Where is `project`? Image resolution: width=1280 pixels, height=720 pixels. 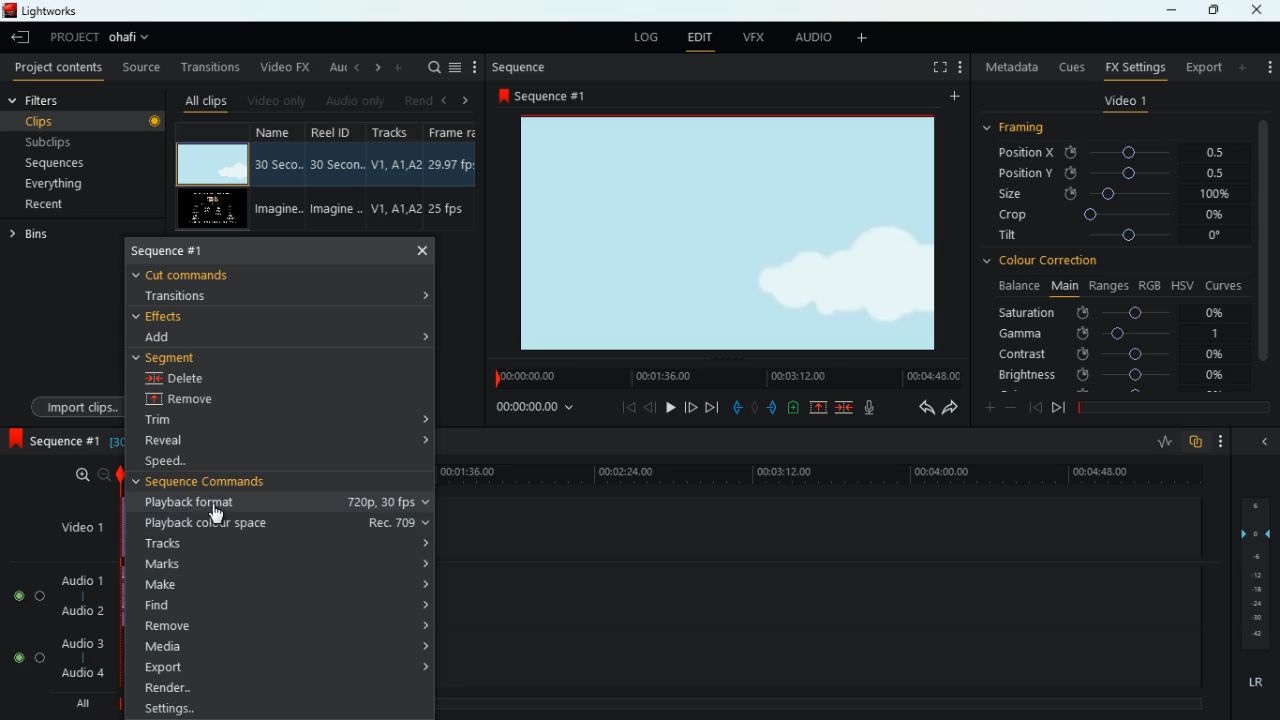
project is located at coordinates (102, 37).